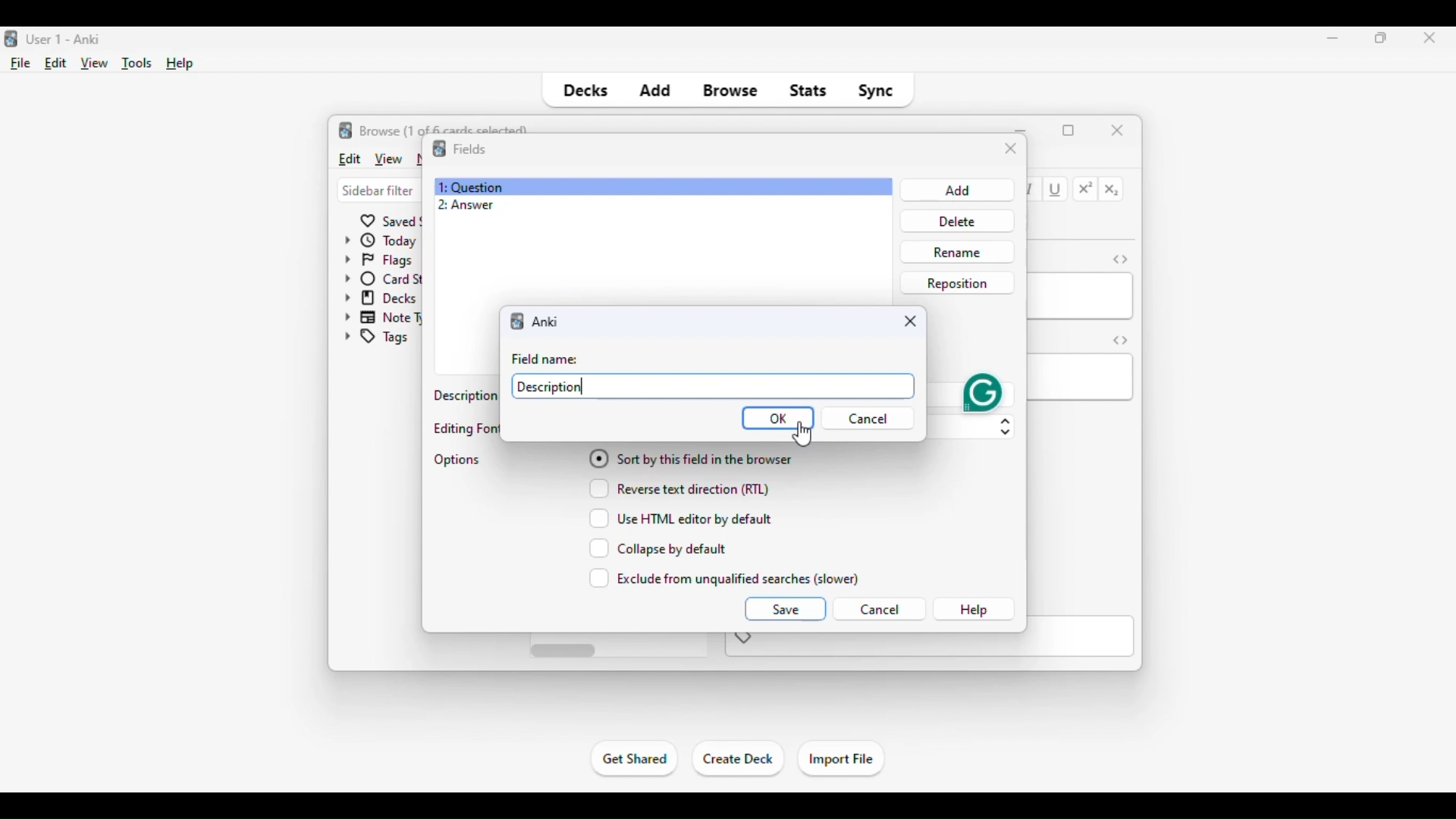 Image resolution: width=1456 pixels, height=819 pixels. Describe the element at coordinates (388, 158) in the screenshot. I see `view` at that location.